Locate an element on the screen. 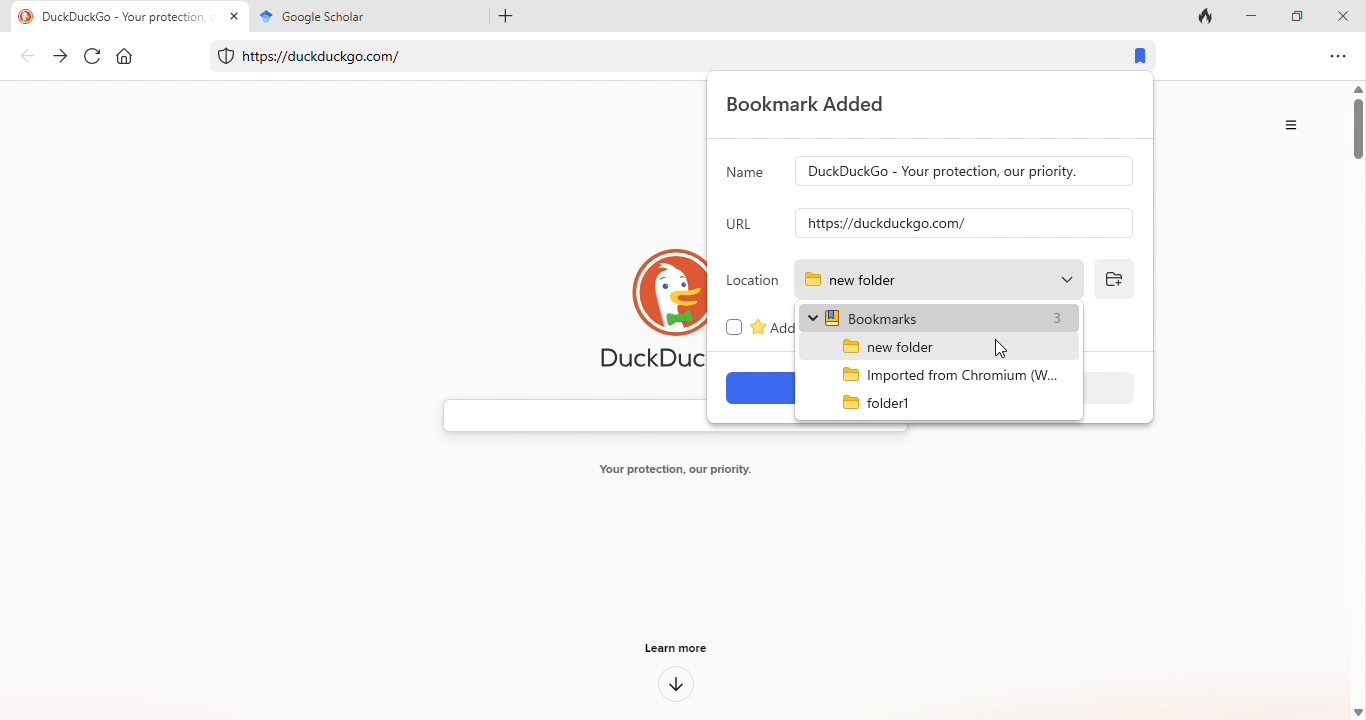 This screenshot has height=720, width=1366. option is located at coordinates (1295, 125).